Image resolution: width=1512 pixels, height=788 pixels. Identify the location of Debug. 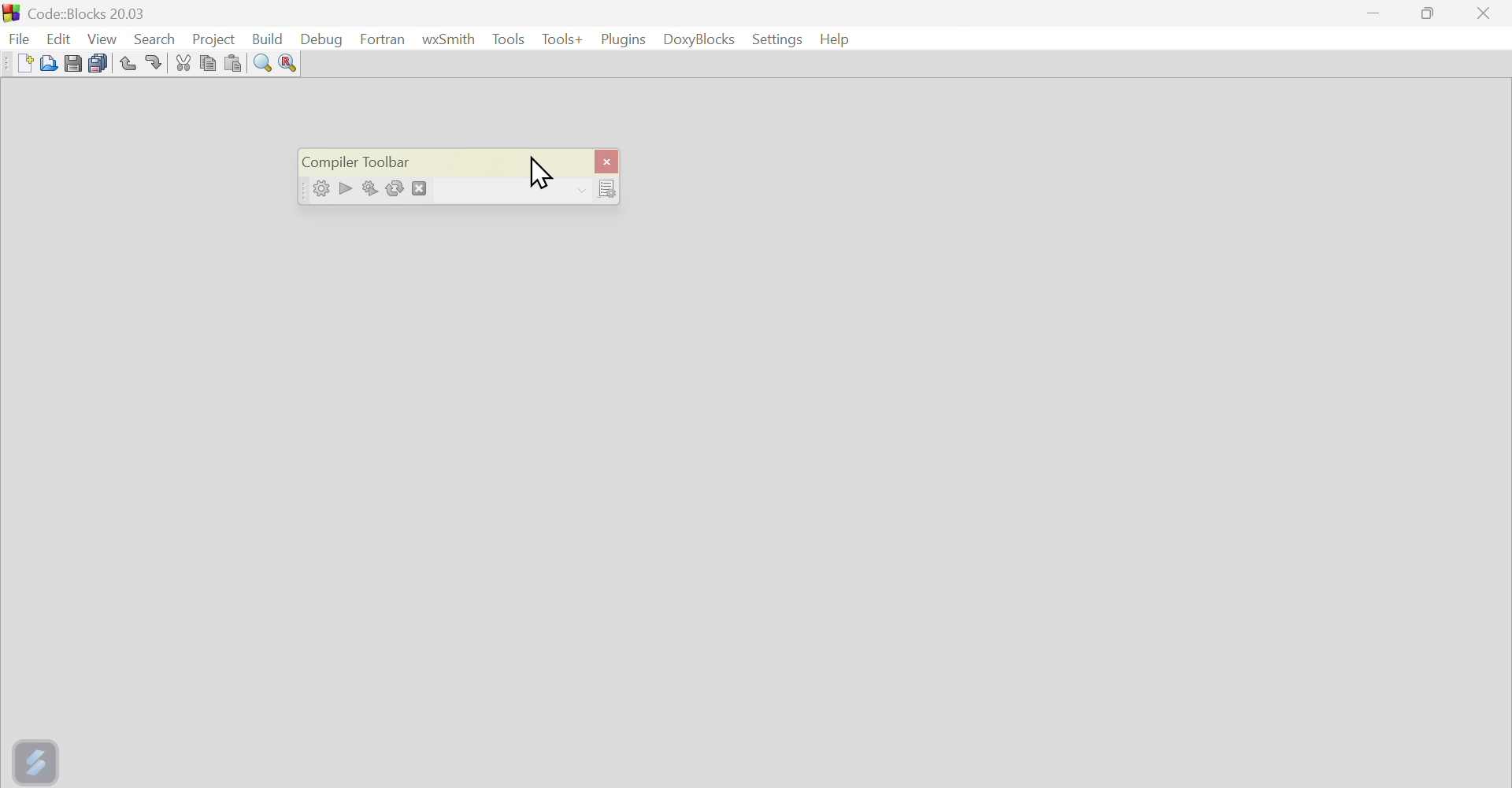
(326, 39).